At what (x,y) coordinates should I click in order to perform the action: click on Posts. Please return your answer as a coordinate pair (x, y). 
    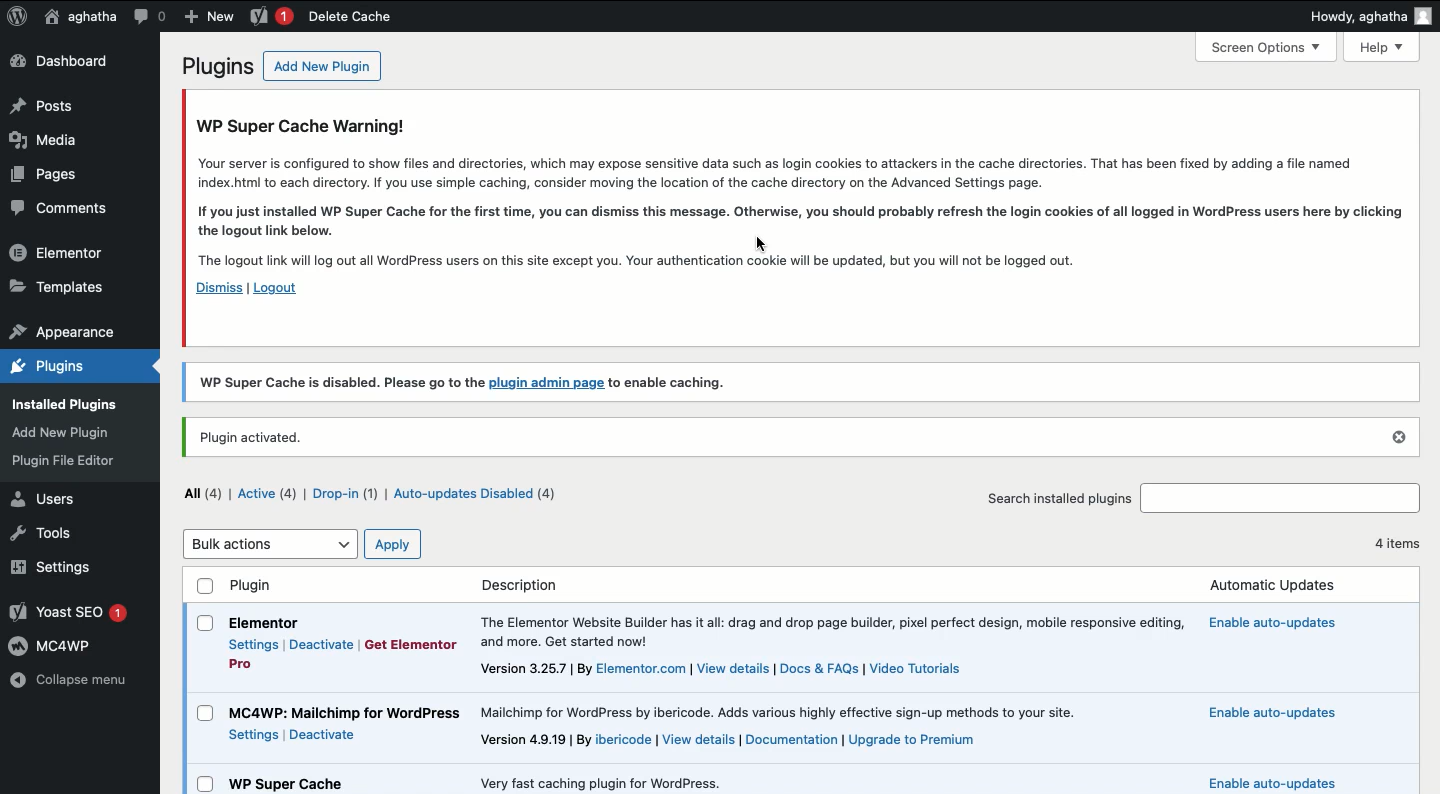
    Looking at the image, I should click on (44, 105).